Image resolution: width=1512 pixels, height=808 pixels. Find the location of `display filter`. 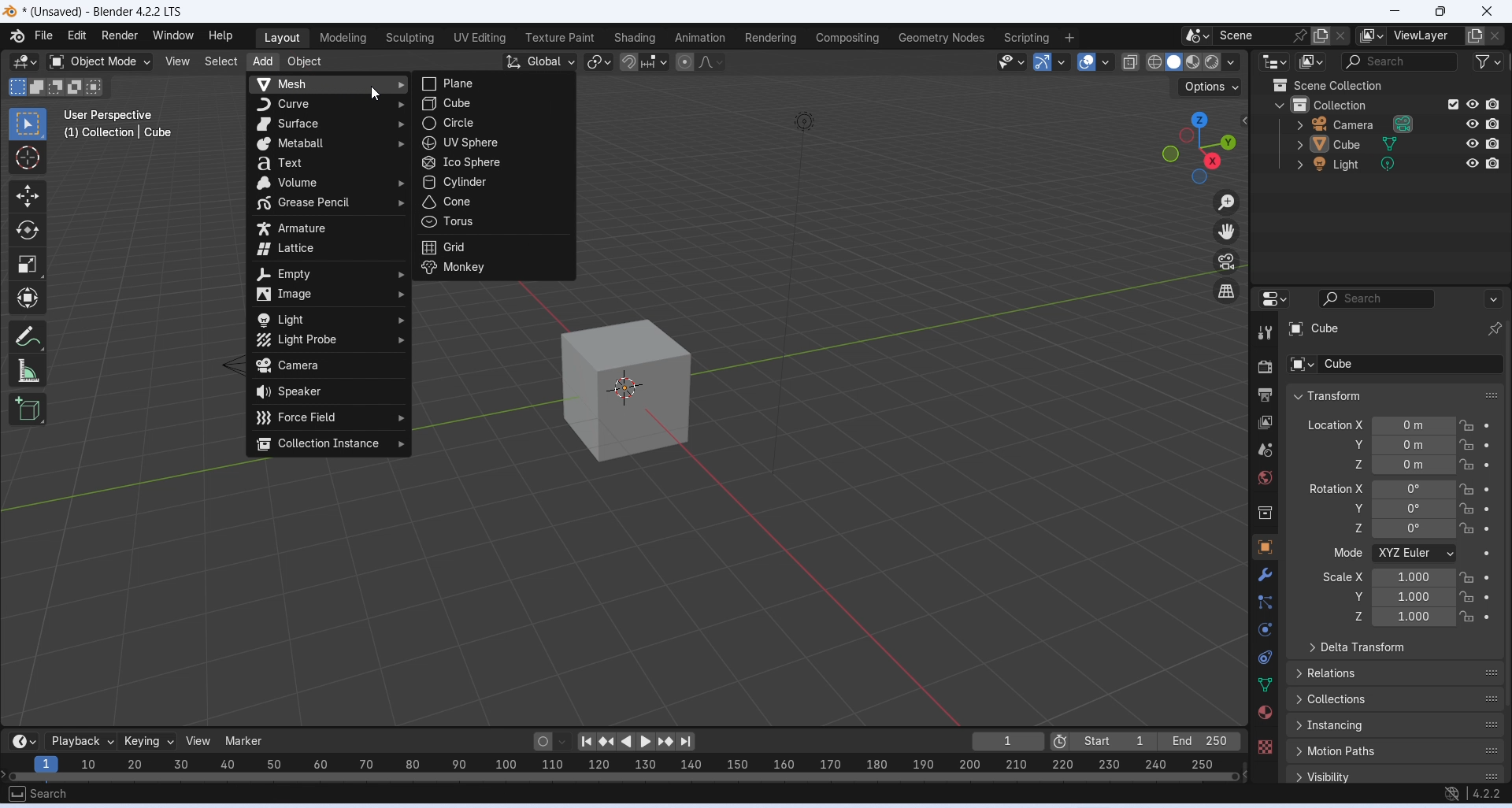

display filter is located at coordinates (1377, 298).